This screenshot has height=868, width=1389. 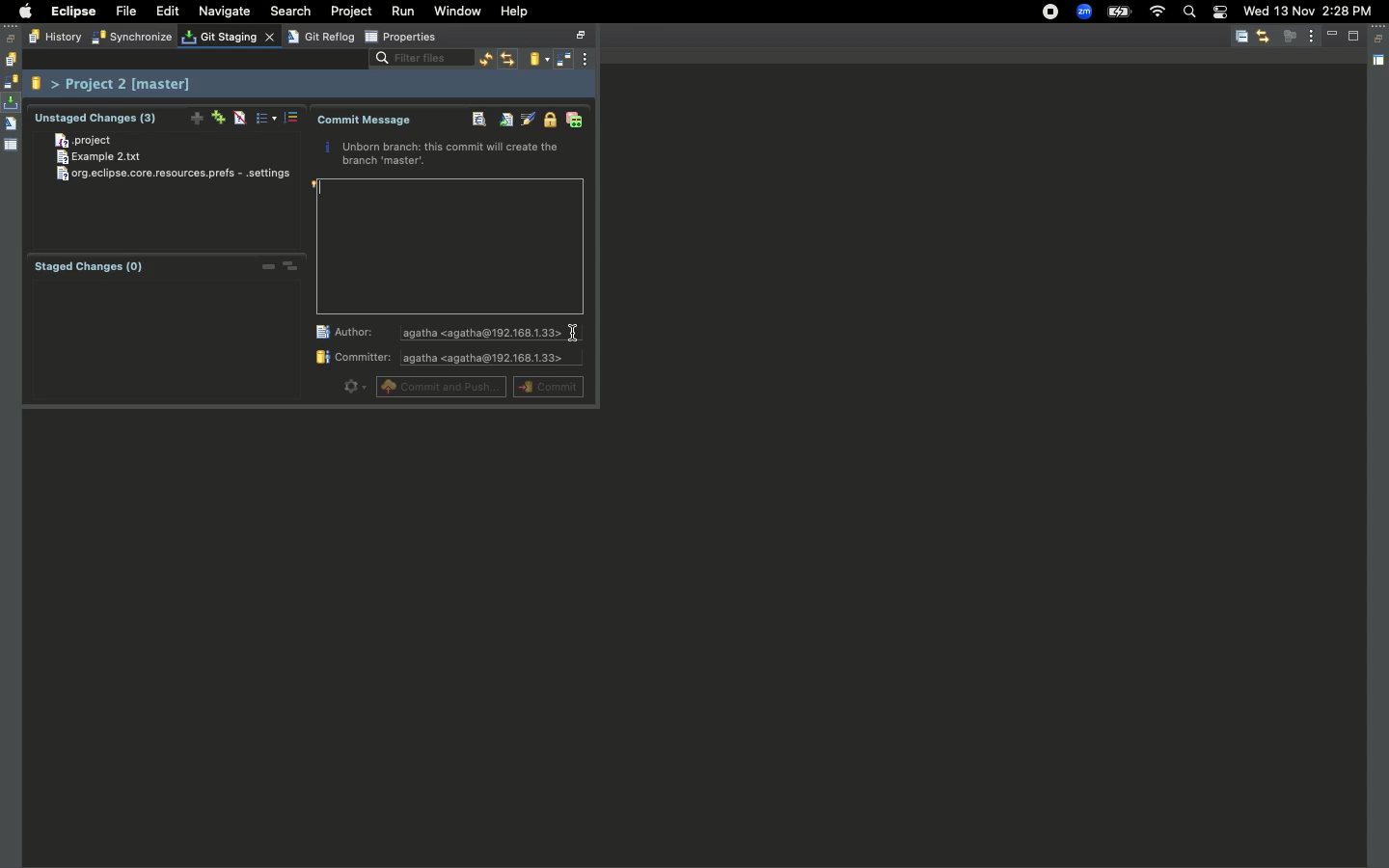 I want to click on Edit, so click(x=167, y=13).